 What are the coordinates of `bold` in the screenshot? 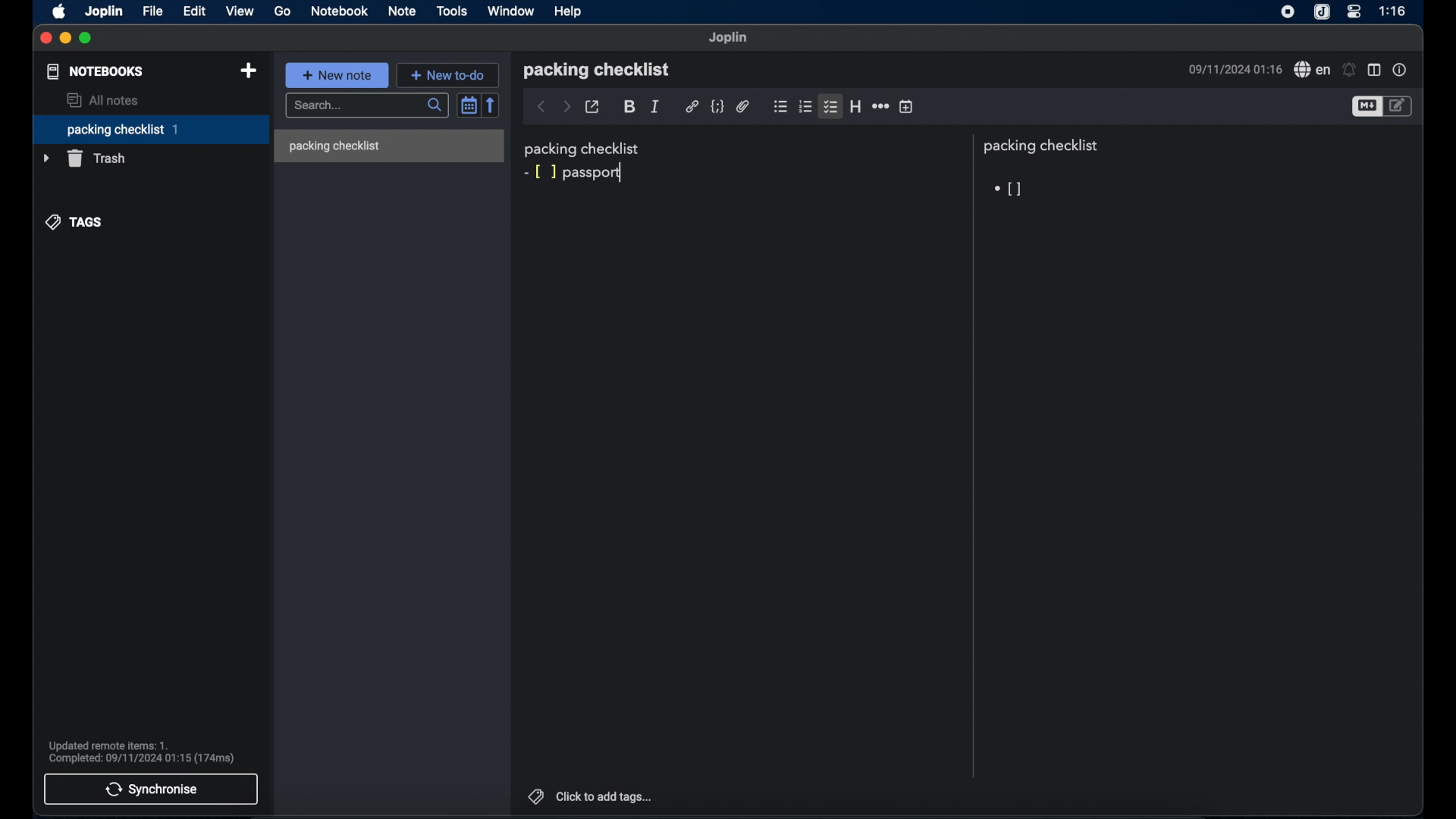 It's located at (629, 107).